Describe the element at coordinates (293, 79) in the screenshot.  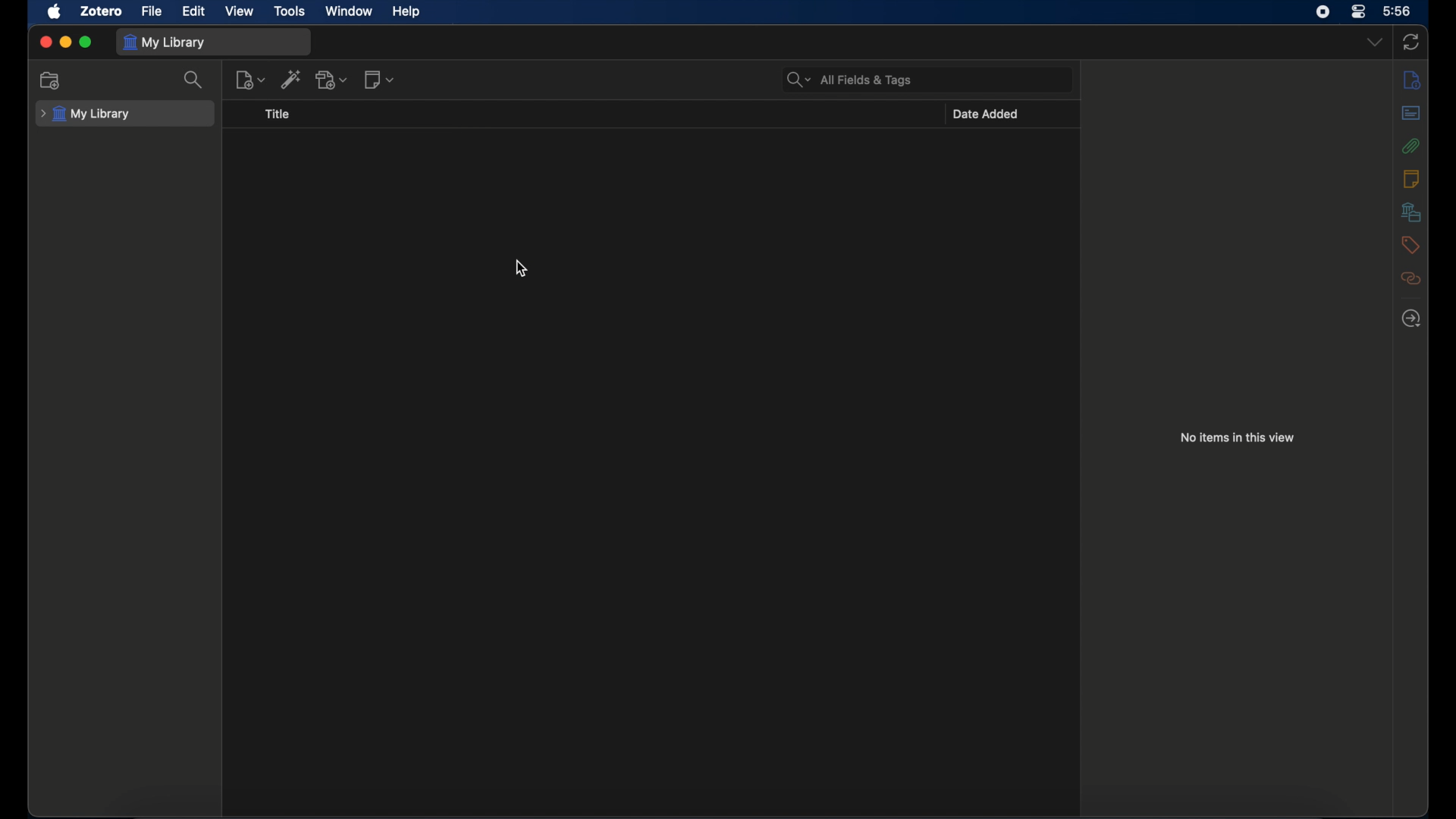
I see `add item by identifier` at that location.